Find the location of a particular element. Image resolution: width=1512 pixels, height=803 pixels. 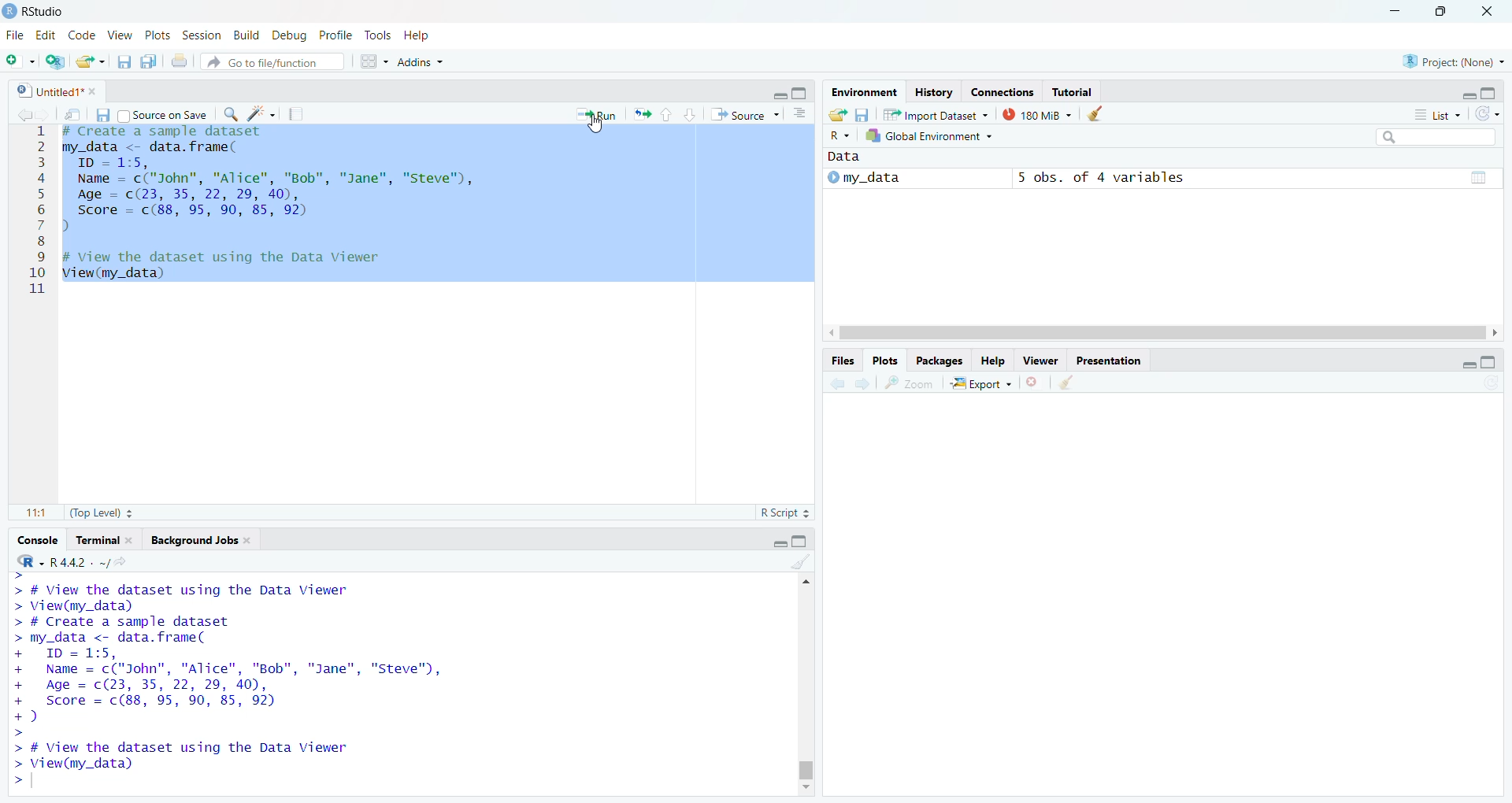

Close file is located at coordinates (1032, 385).